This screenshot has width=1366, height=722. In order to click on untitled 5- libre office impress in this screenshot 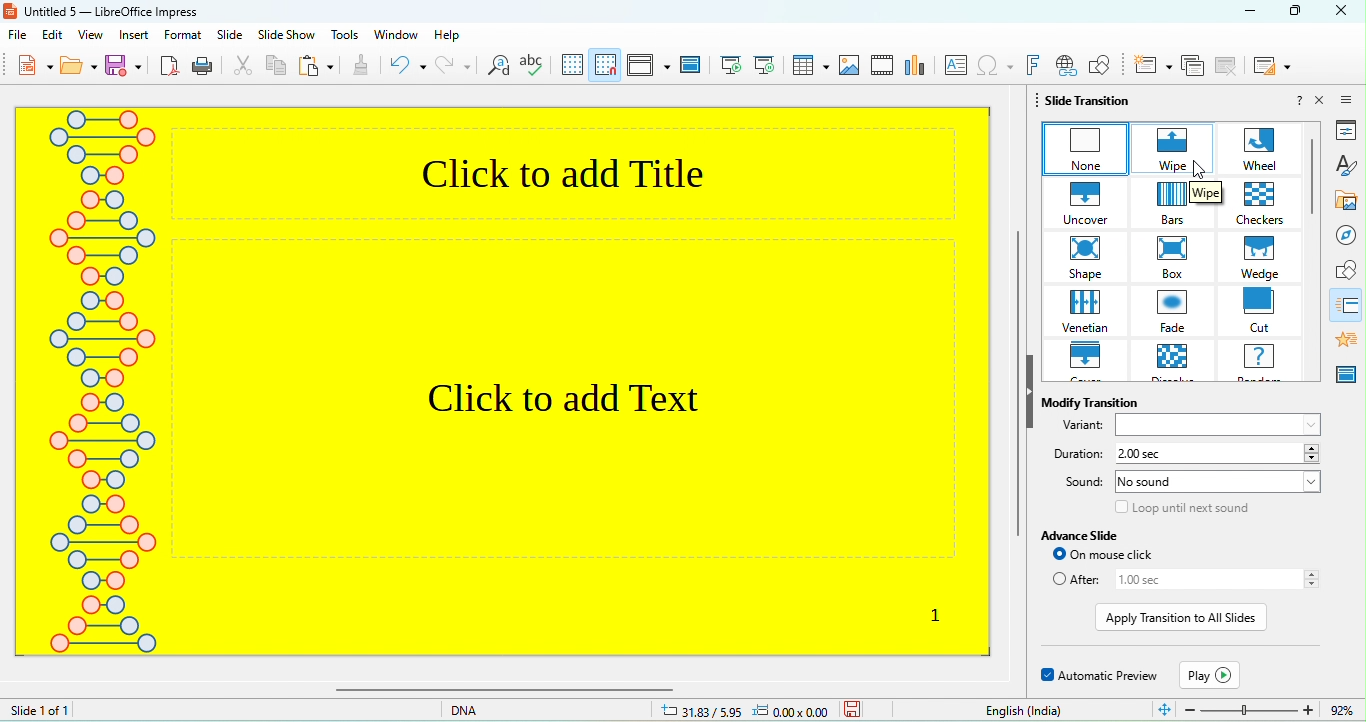, I will do `click(106, 11)`.